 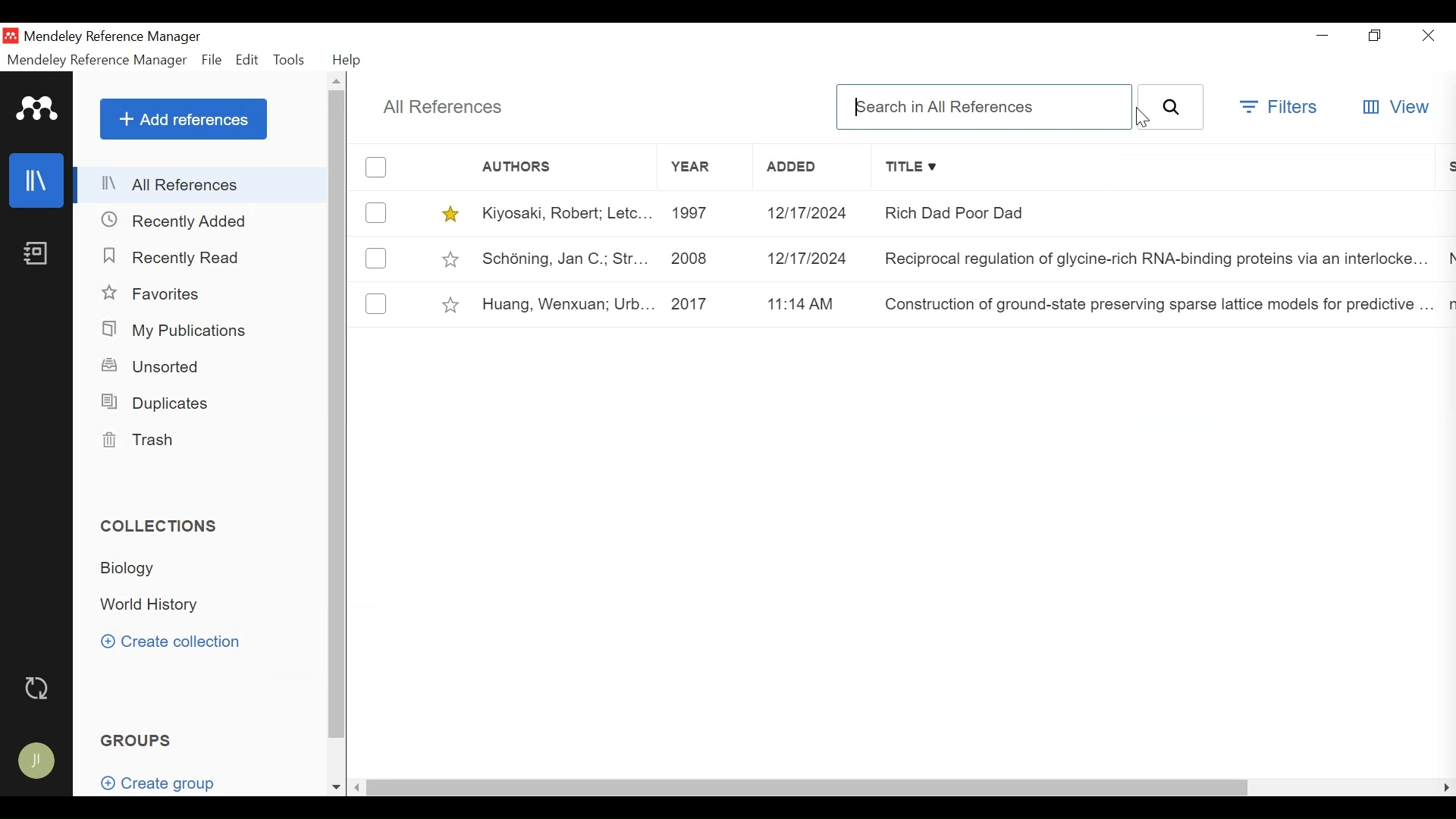 I want to click on Kiyosaki, Robert, so click(x=563, y=212).